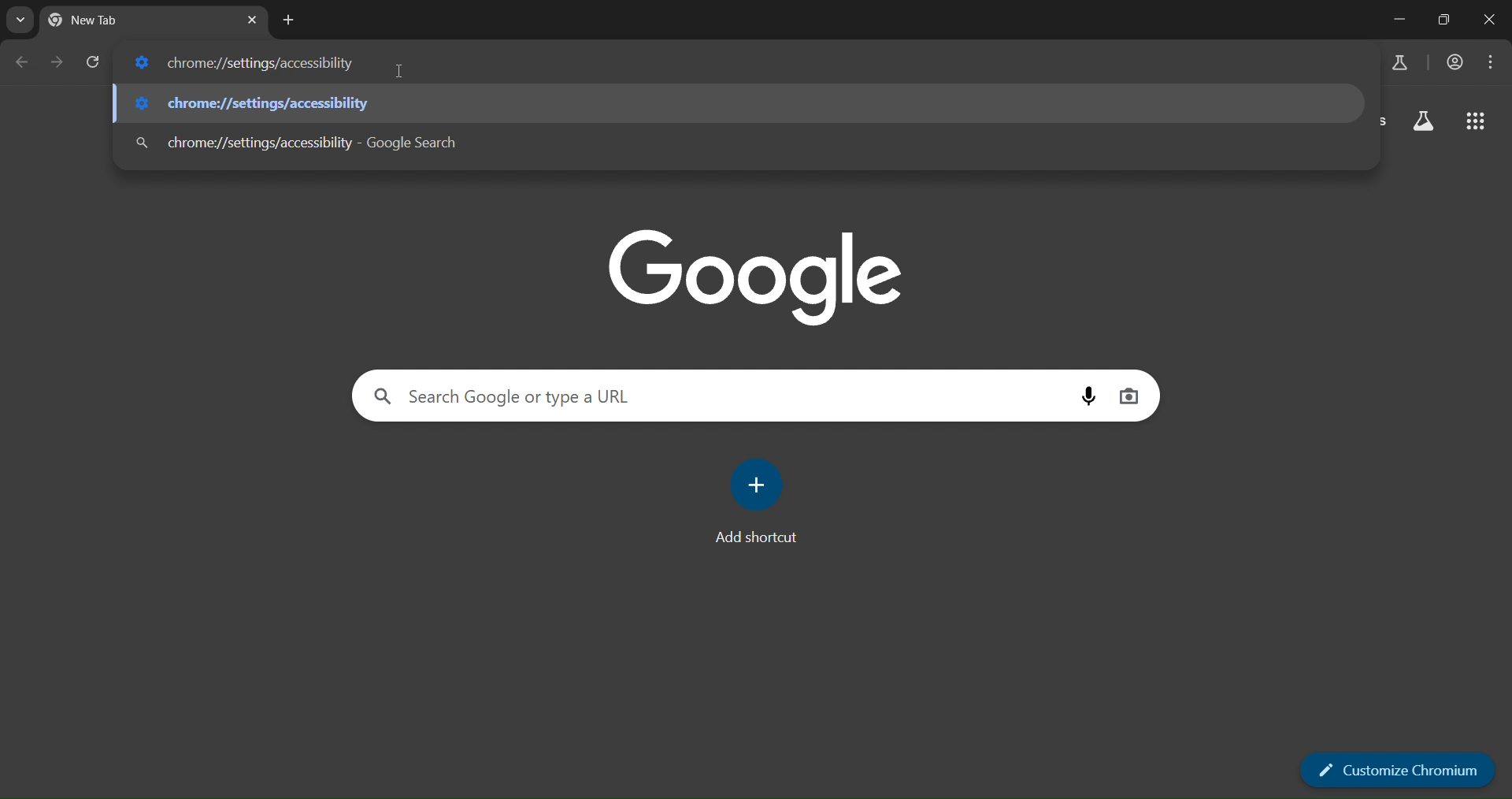 The height and width of the screenshot is (799, 1512). Describe the element at coordinates (291, 21) in the screenshot. I see `new tab` at that location.